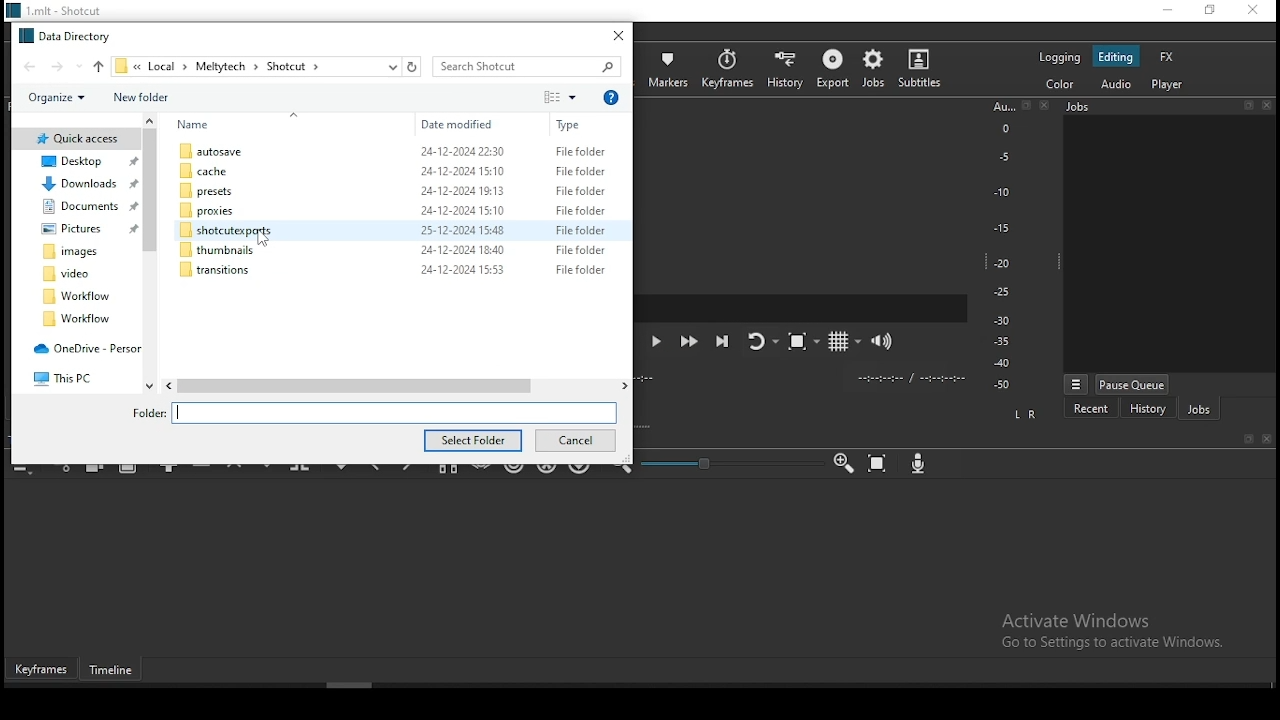  What do you see at coordinates (1247, 104) in the screenshot?
I see `Bookmark` at bounding box center [1247, 104].